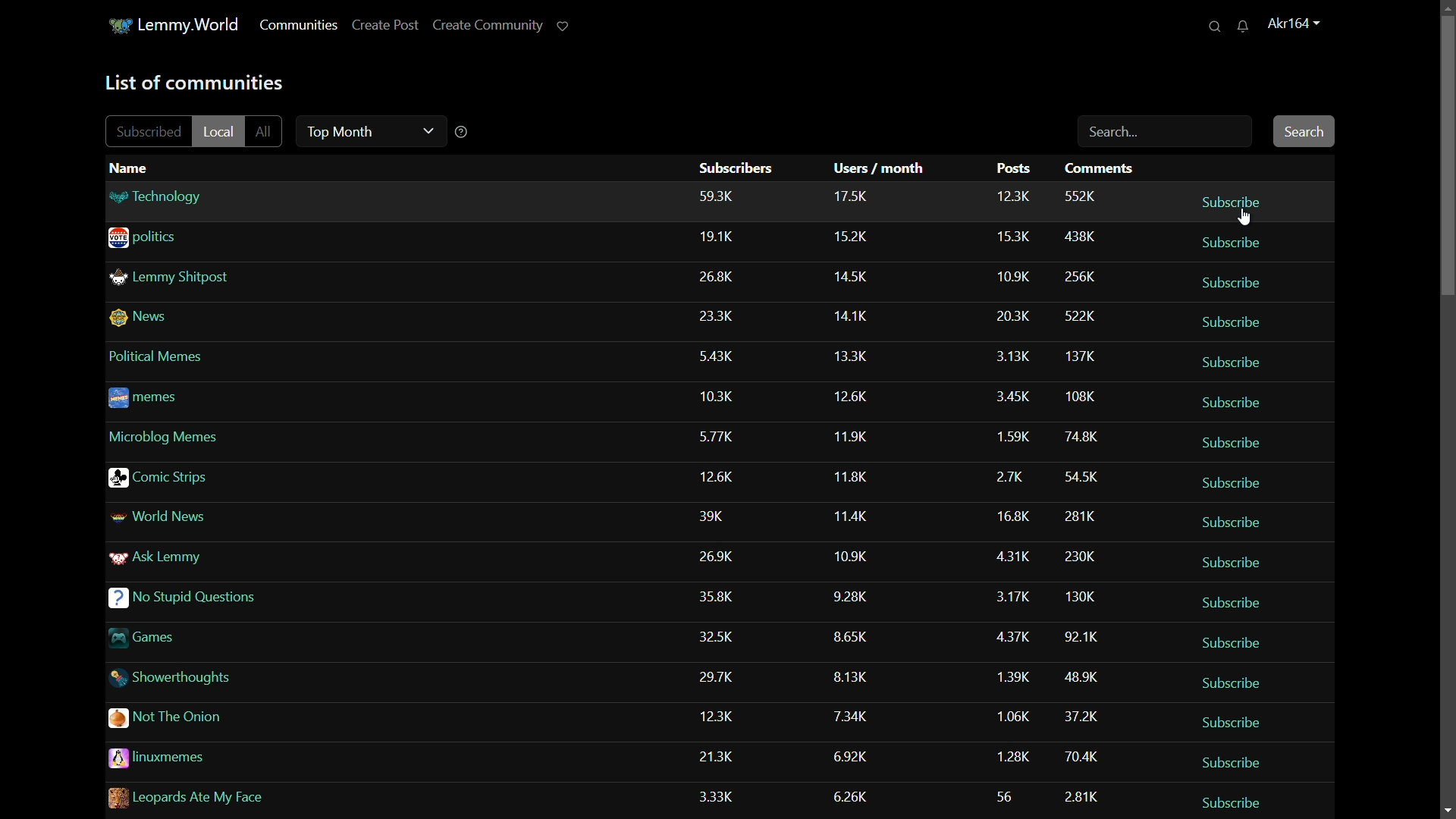  Describe the element at coordinates (1085, 597) in the screenshot. I see `comments` at that location.